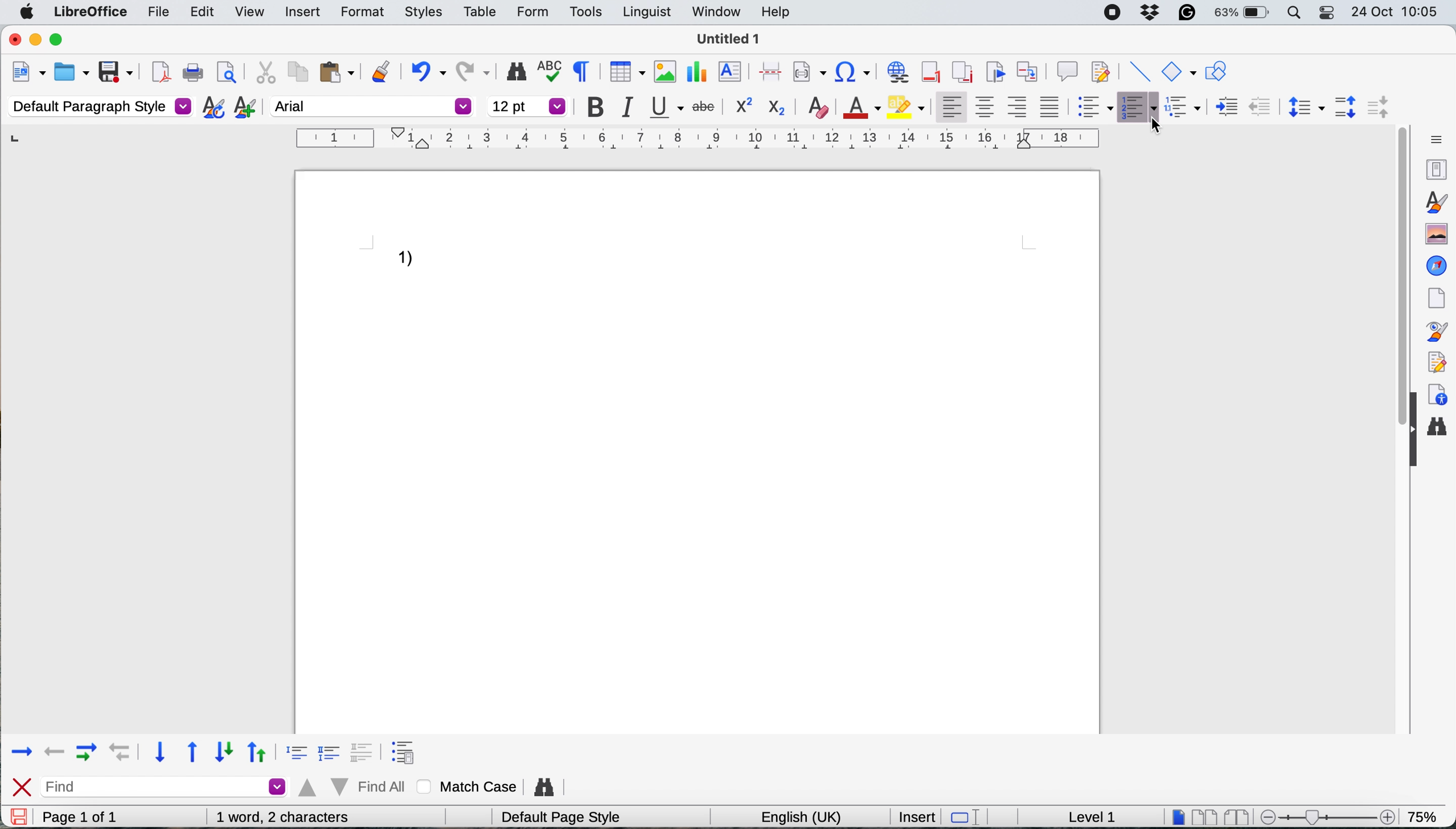 This screenshot has height=829, width=1456. I want to click on backward, so click(56, 749).